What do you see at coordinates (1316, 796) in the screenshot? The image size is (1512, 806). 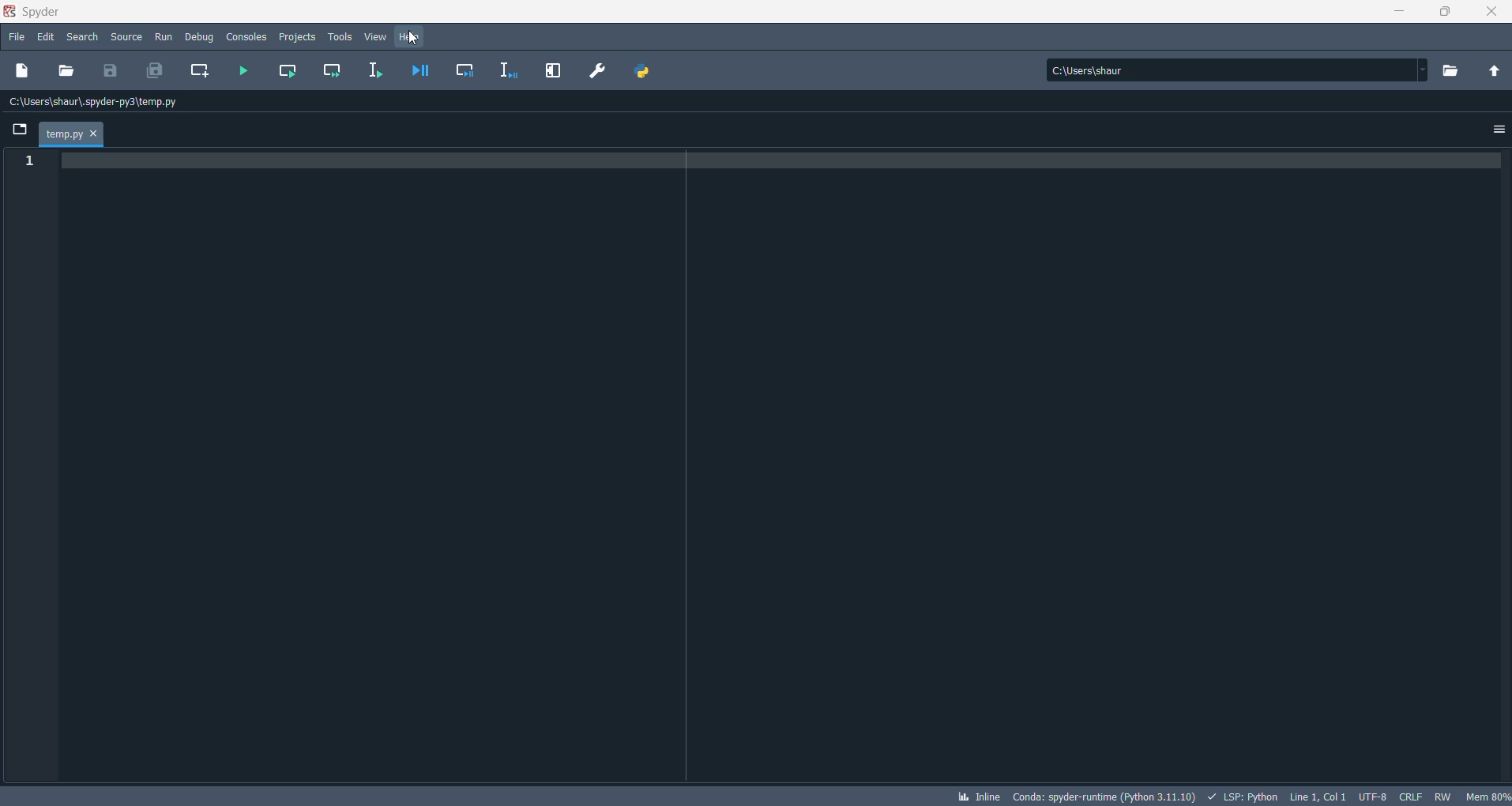 I see `LINE AND COLUMN NUMBER` at bounding box center [1316, 796].